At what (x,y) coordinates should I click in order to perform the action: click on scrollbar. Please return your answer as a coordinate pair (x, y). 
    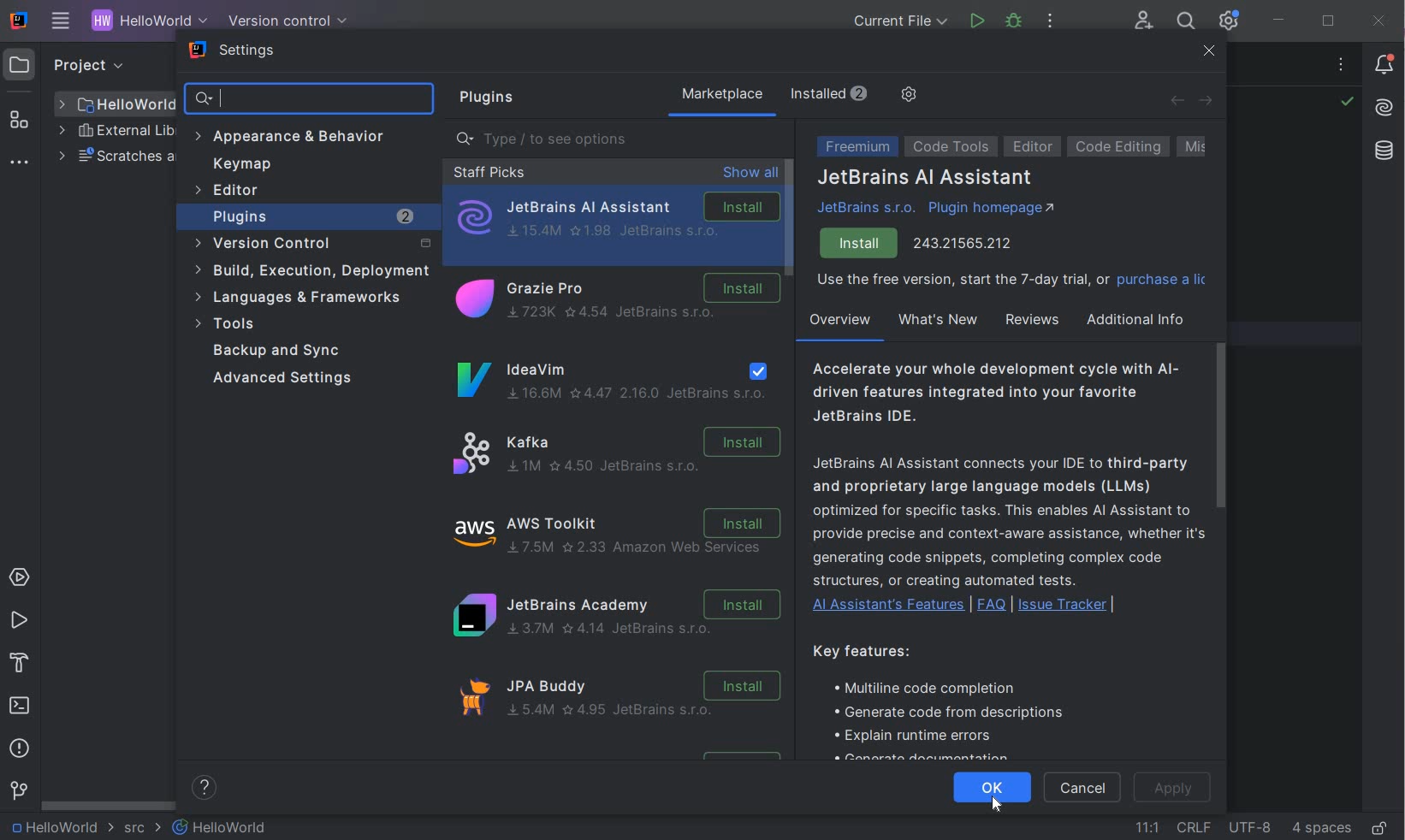
    Looking at the image, I should click on (789, 219).